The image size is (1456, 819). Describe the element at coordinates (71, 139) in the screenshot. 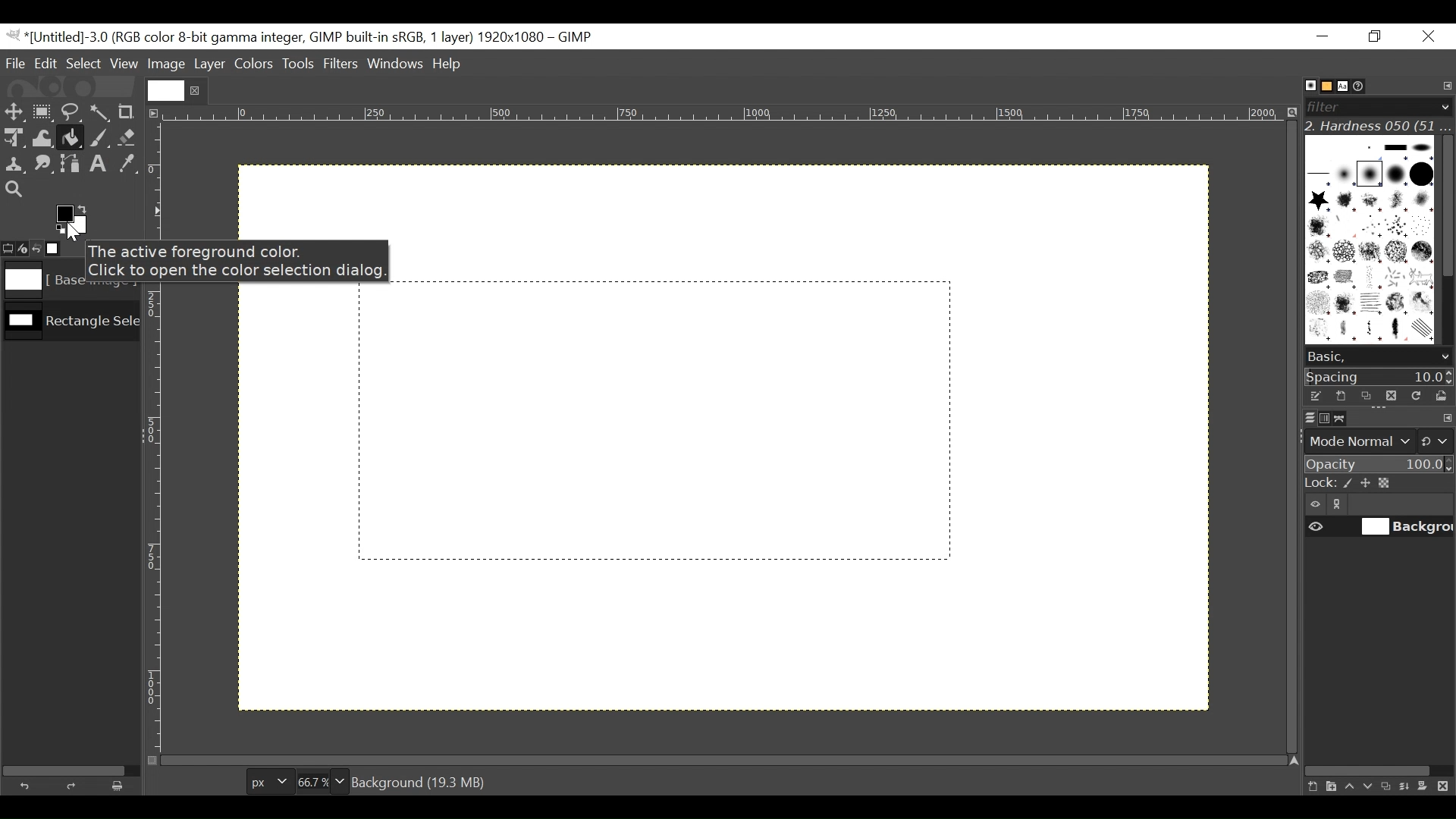

I see `Bucket Fill tool` at that location.